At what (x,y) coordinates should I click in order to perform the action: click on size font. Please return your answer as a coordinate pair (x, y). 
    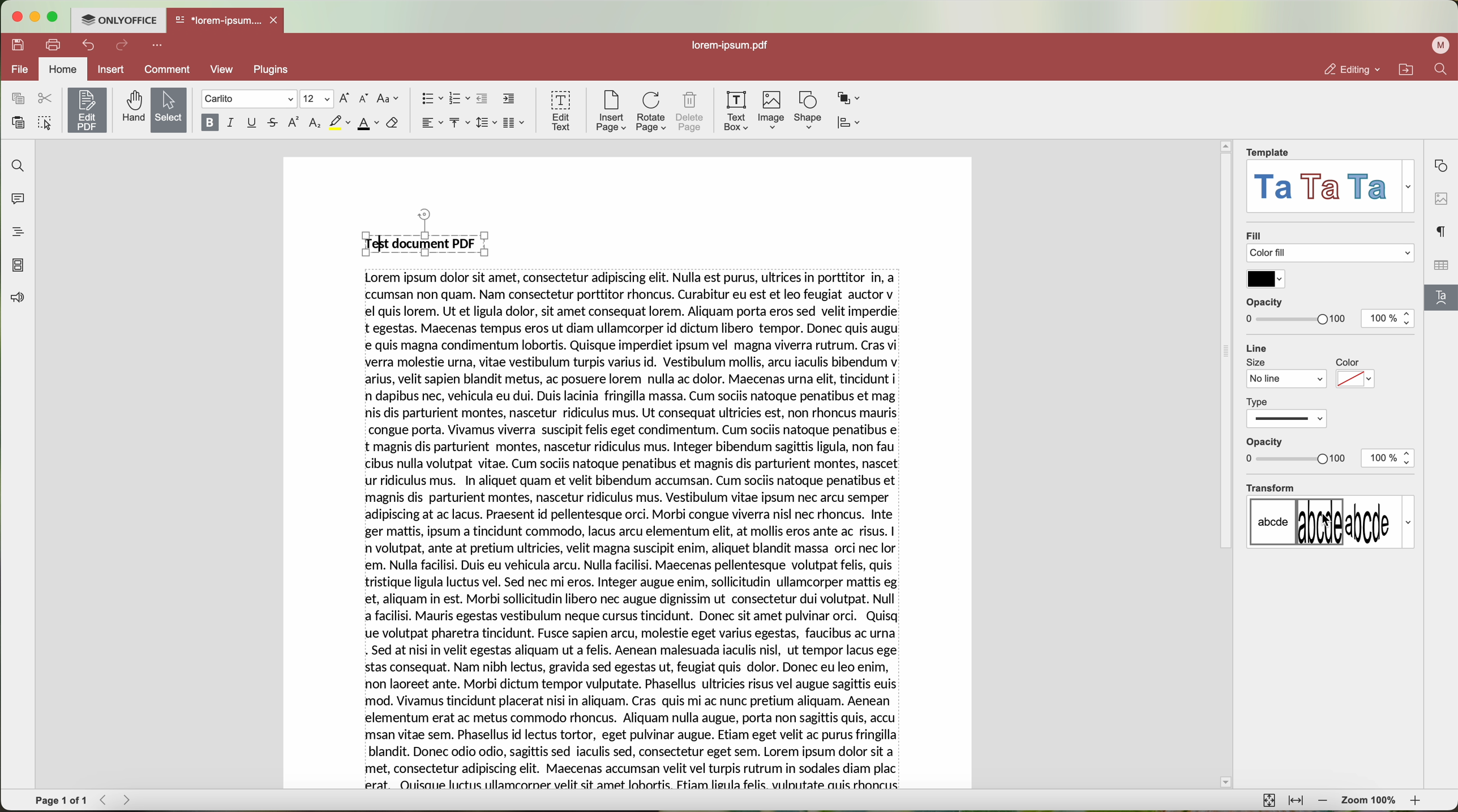
    Looking at the image, I should click on (315, 99).